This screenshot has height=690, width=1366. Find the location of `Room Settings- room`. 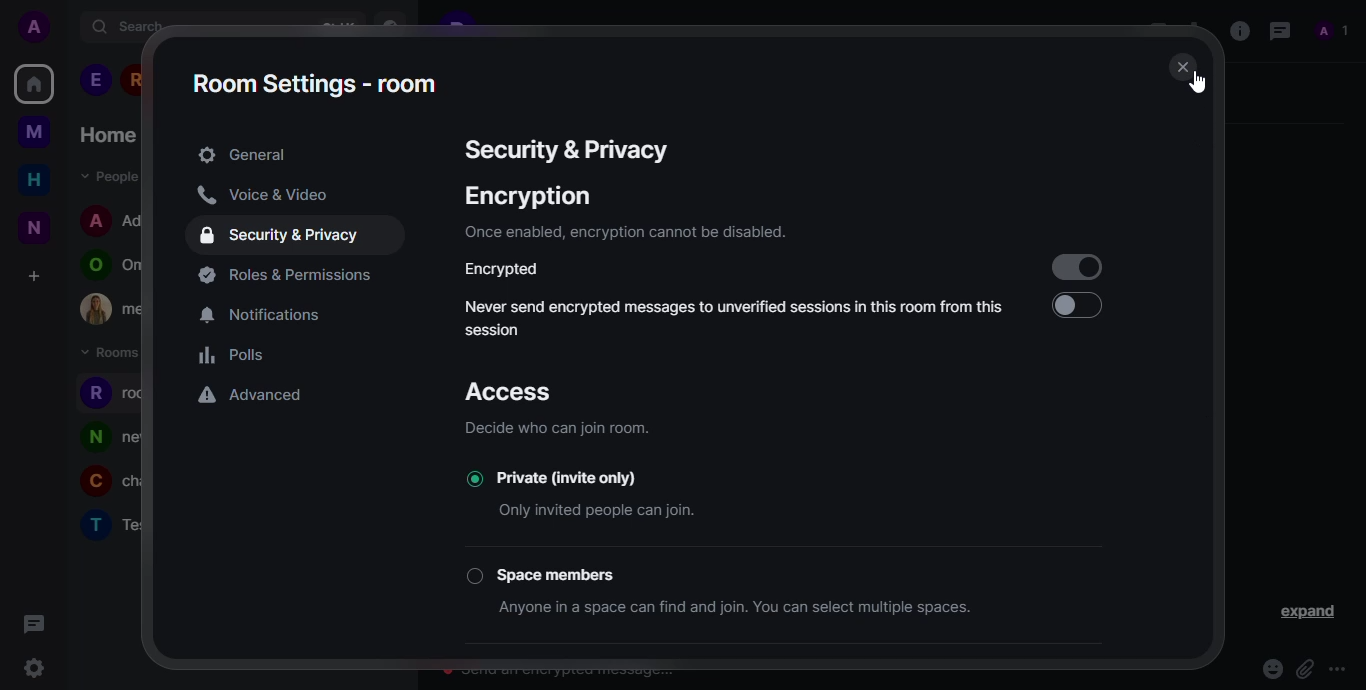

Room Settings- room is located at coordinates (327, 85).